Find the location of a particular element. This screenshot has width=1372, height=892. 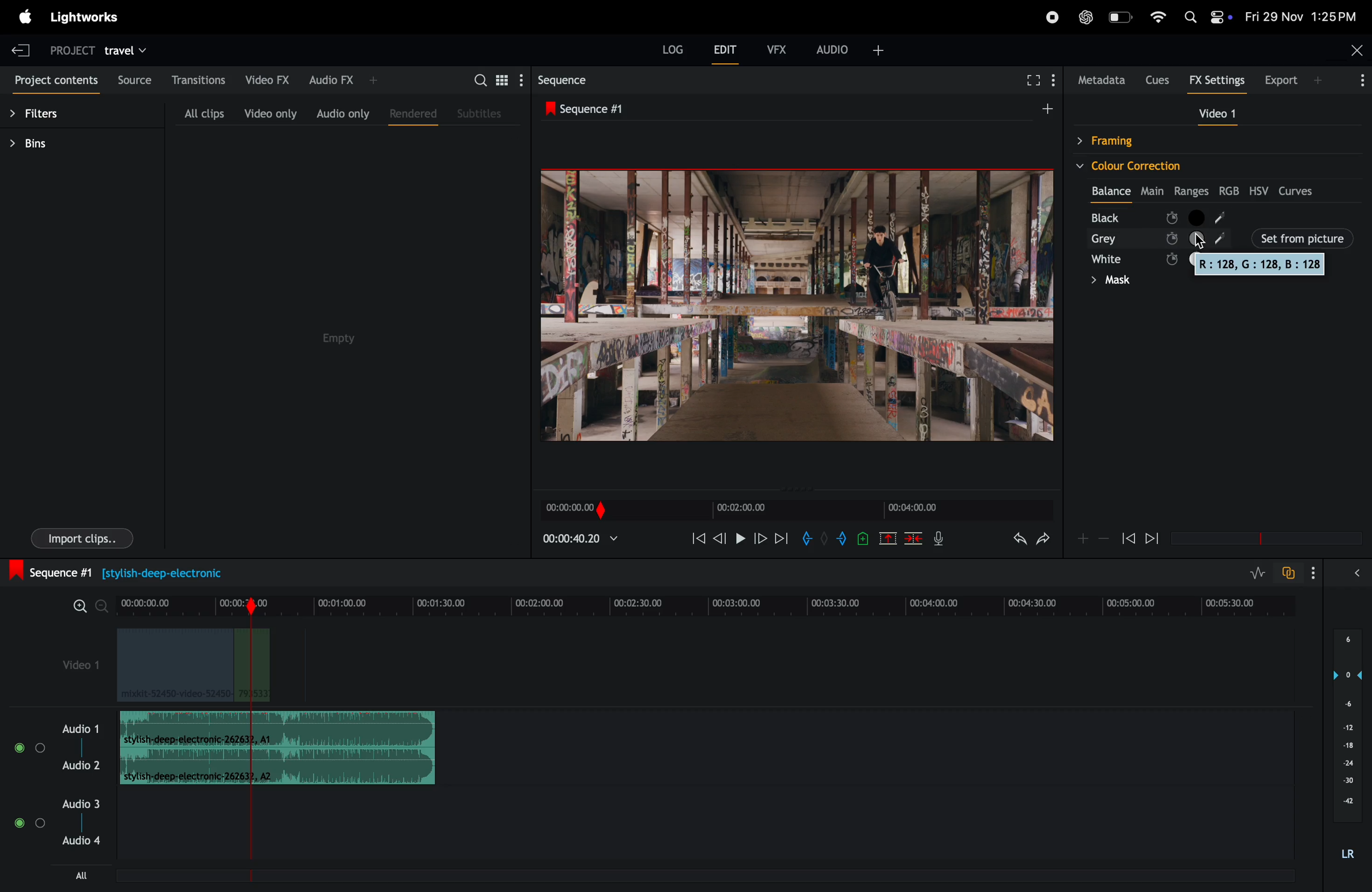

video fx is located at coordinates (267, 80).